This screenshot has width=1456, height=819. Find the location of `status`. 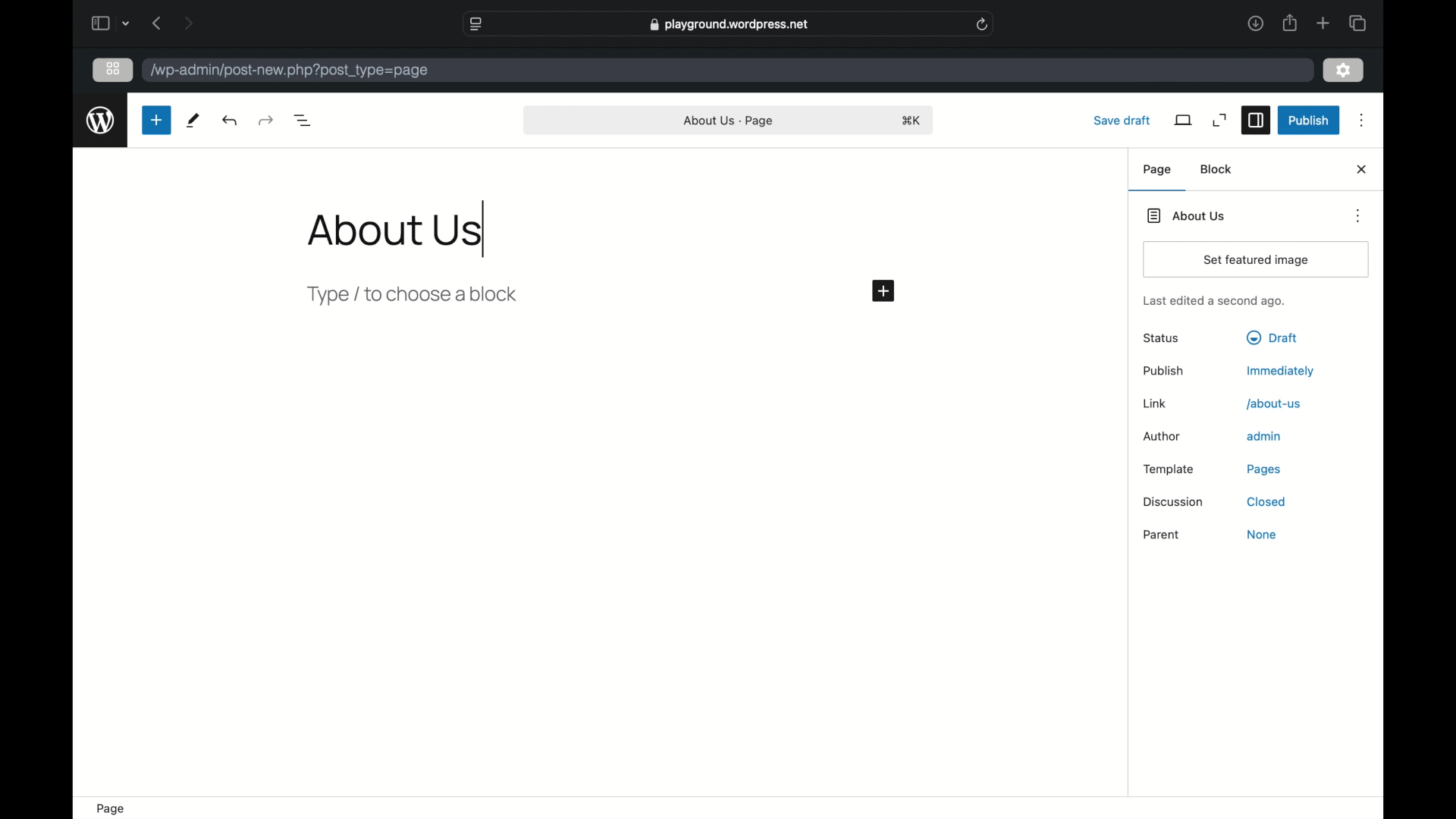

status is located at coordinates (1163, 339).